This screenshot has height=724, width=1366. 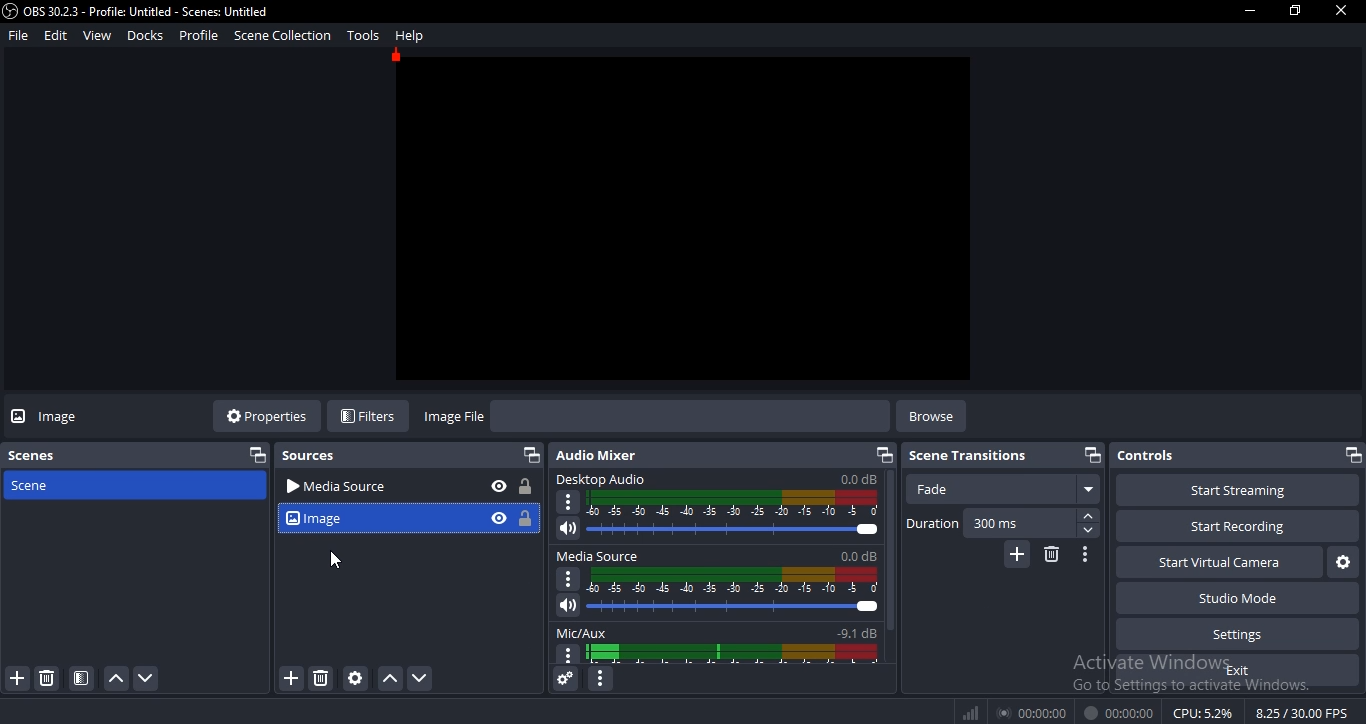 I want to click on forward, so click(x=1090, y=517).